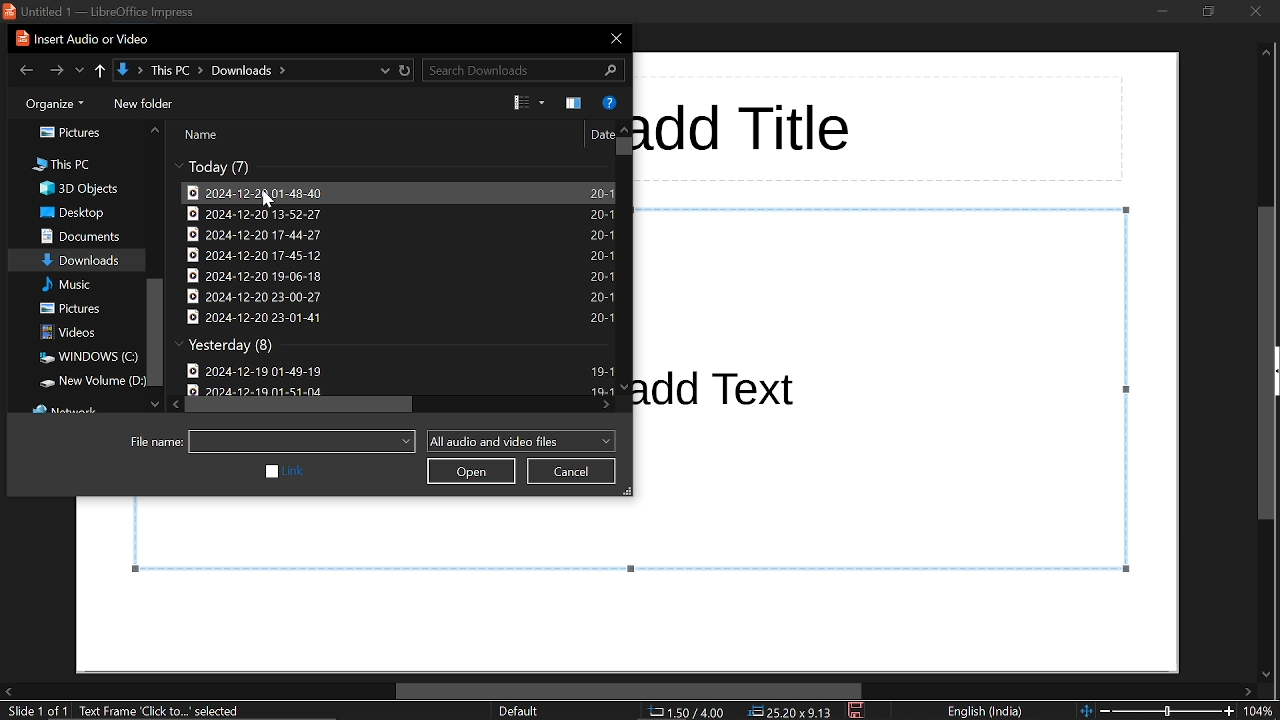 This screenshot has height=720, width=1280. Describe the element at coordinates (611, 101) in the screenshot. I see `help` at that location.